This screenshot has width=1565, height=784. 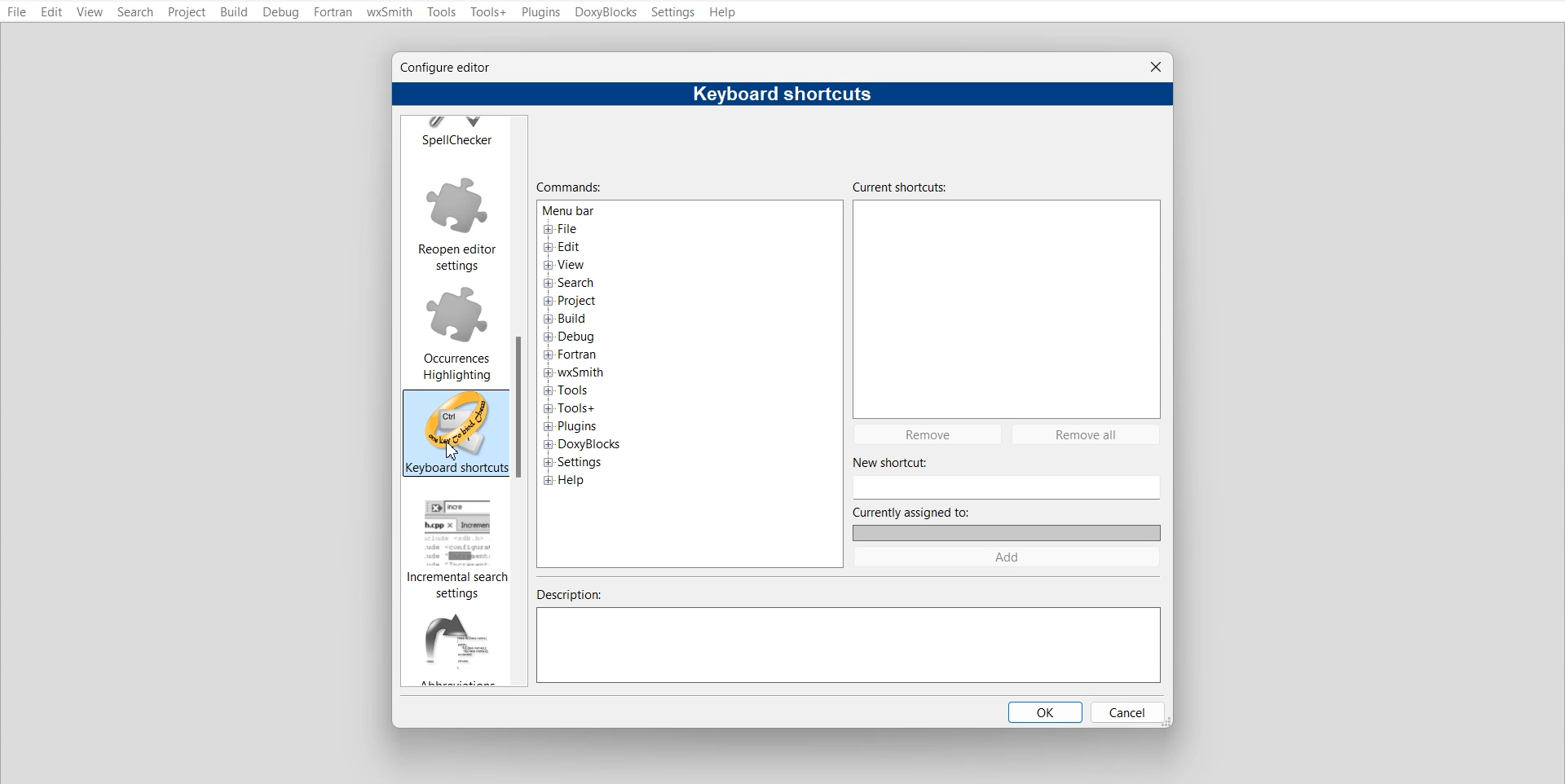 What do you see at coordinates (1005, 477) in the screenshot?
I see `New shortcuts` at bounding box center [1005, 477].